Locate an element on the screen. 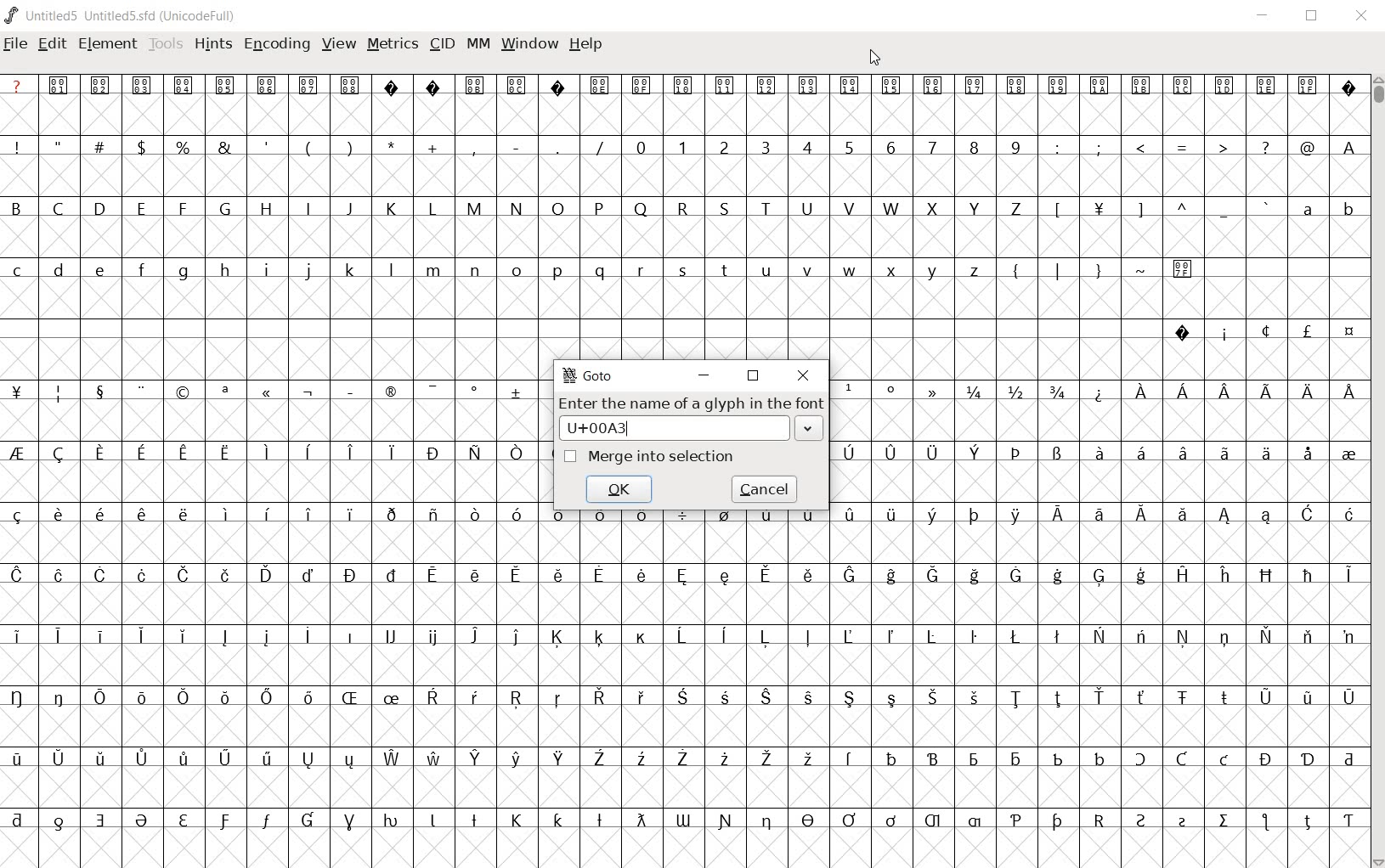  Symbol is located at coordinates (1348, 87).